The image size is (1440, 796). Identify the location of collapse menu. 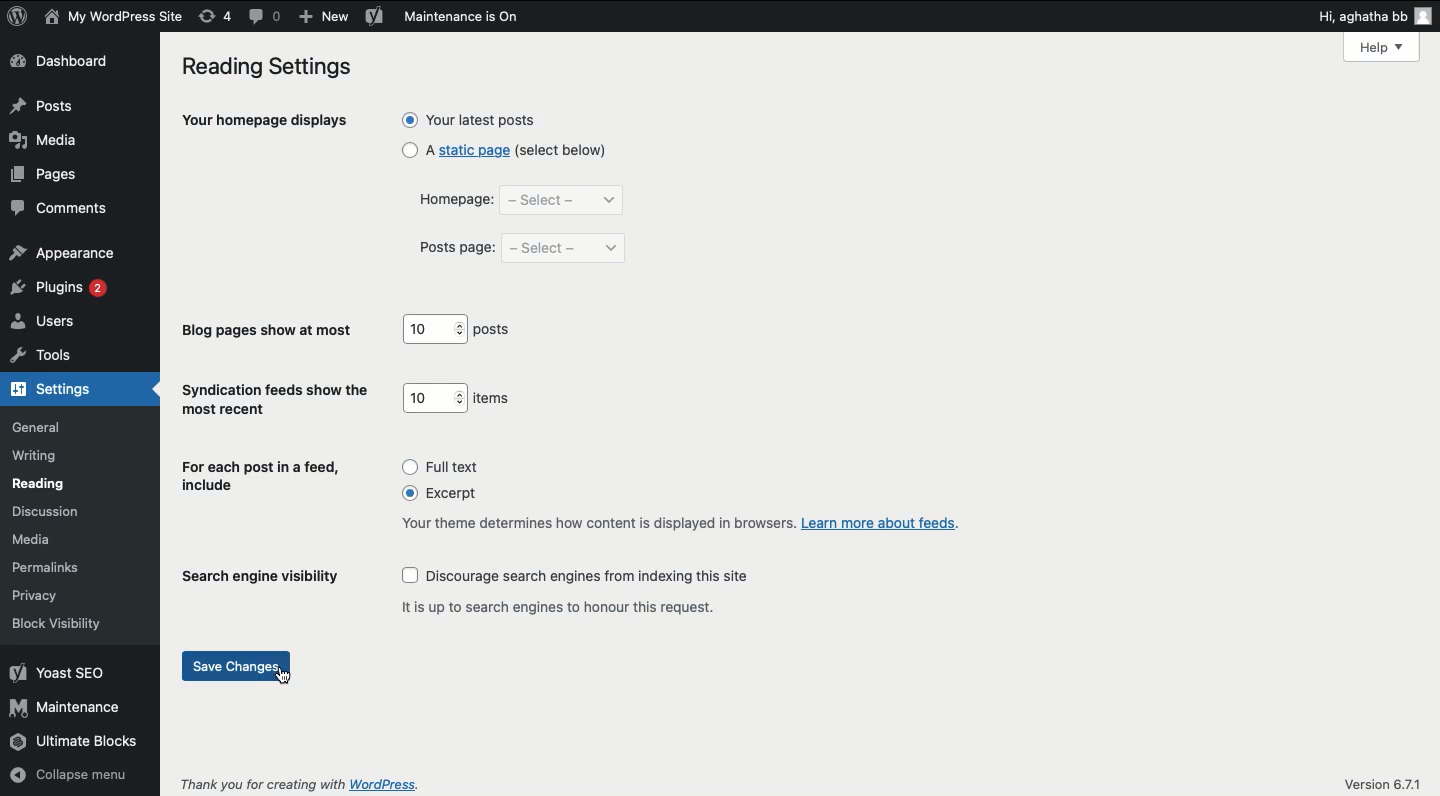
(66, 777).